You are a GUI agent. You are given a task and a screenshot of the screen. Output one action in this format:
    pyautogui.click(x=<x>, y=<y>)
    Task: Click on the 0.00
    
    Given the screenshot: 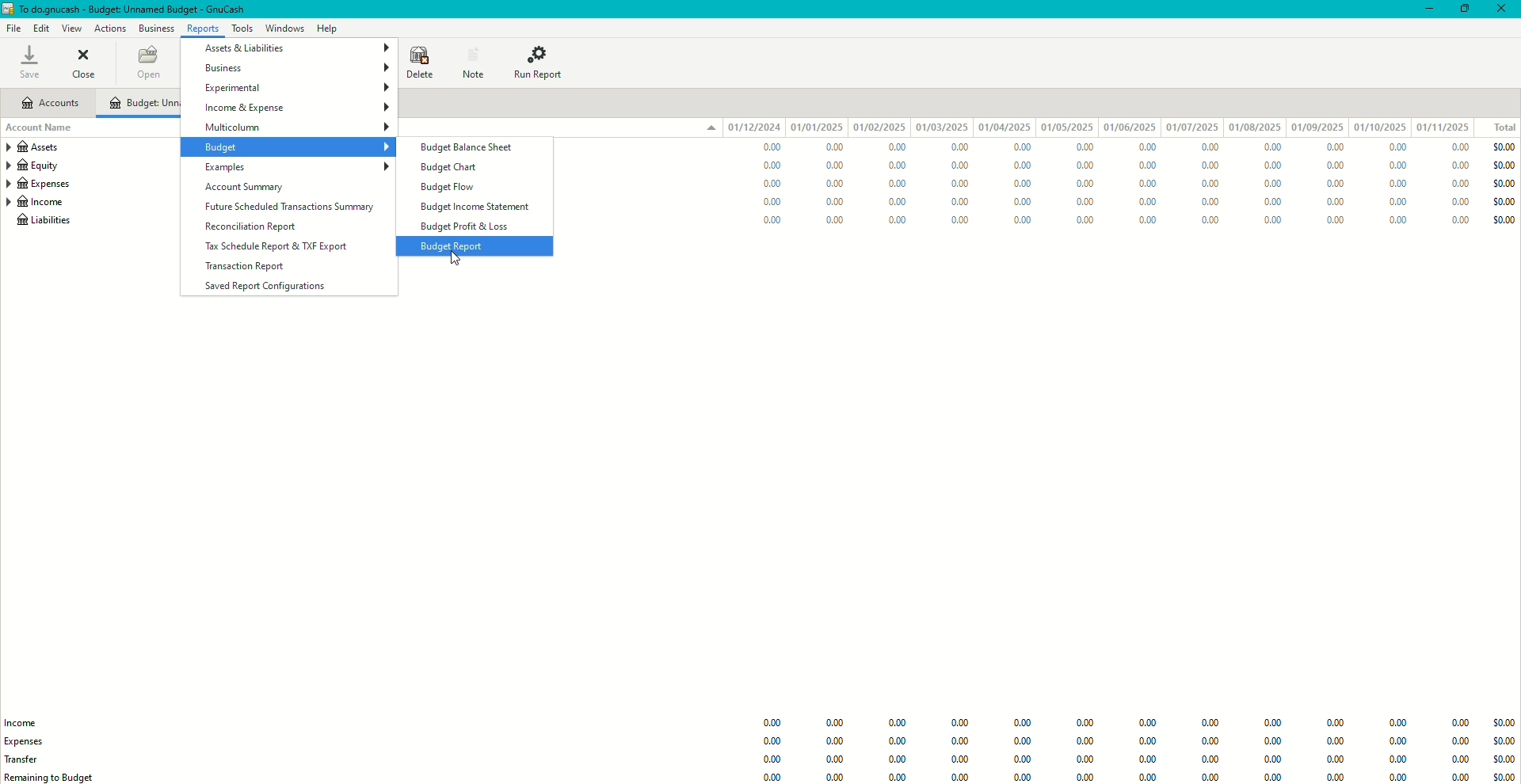 What is the action you would take?
    pyautogui.click(x=1018, y=166)
    